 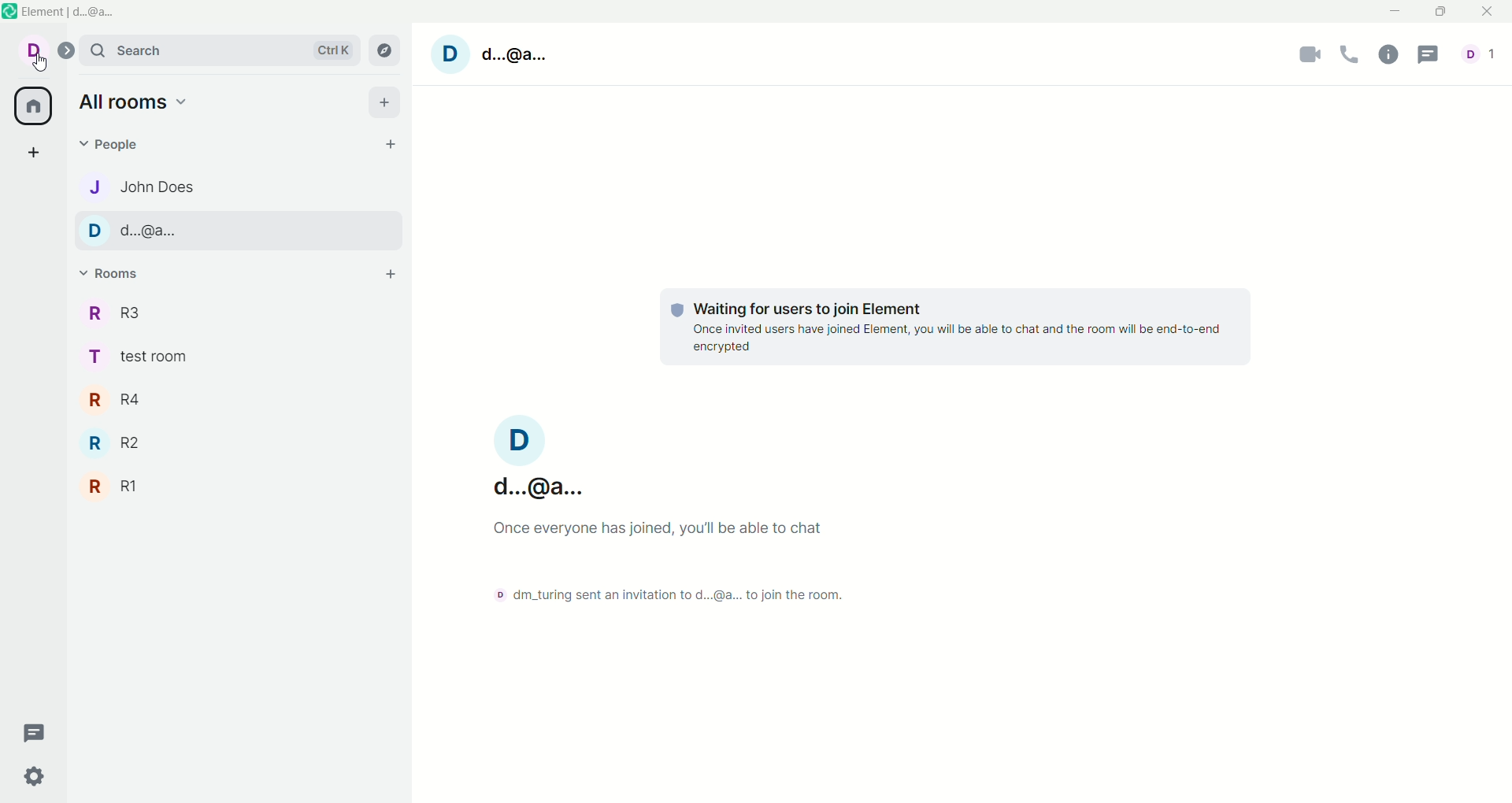 I want to click on video call, so click(x=1311, y=57).